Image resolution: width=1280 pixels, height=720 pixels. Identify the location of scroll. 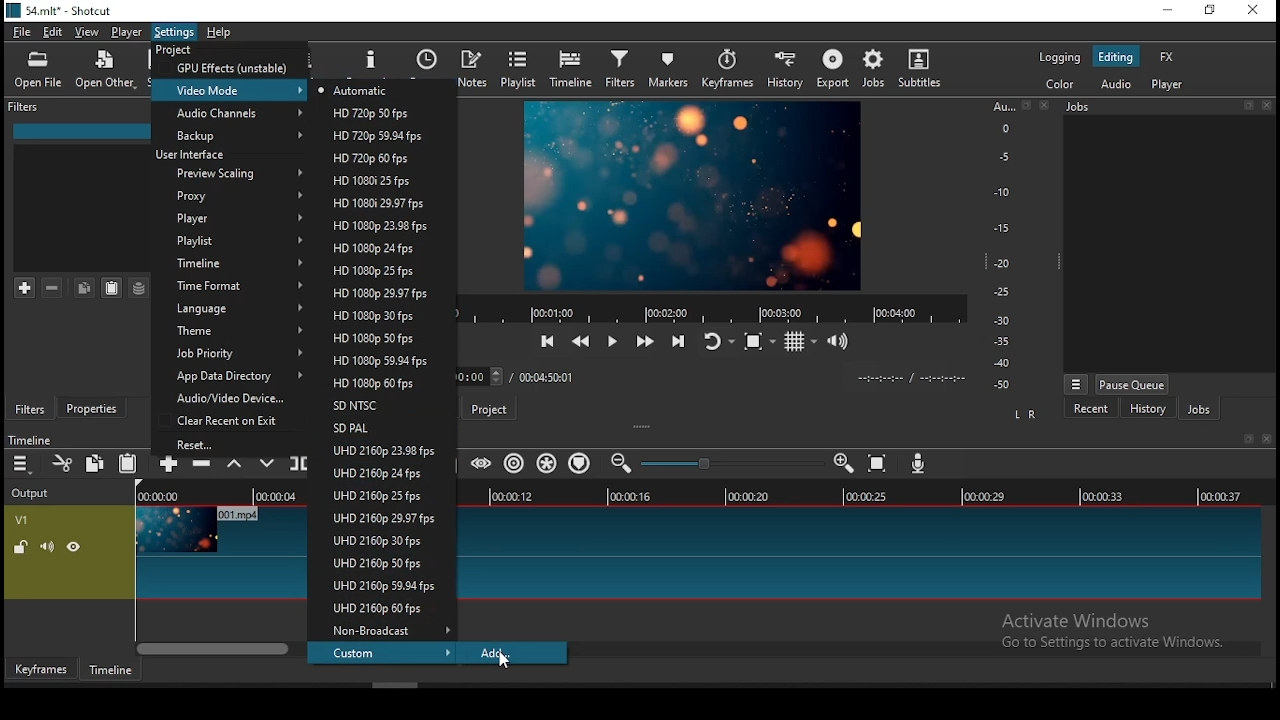
(392, 683).